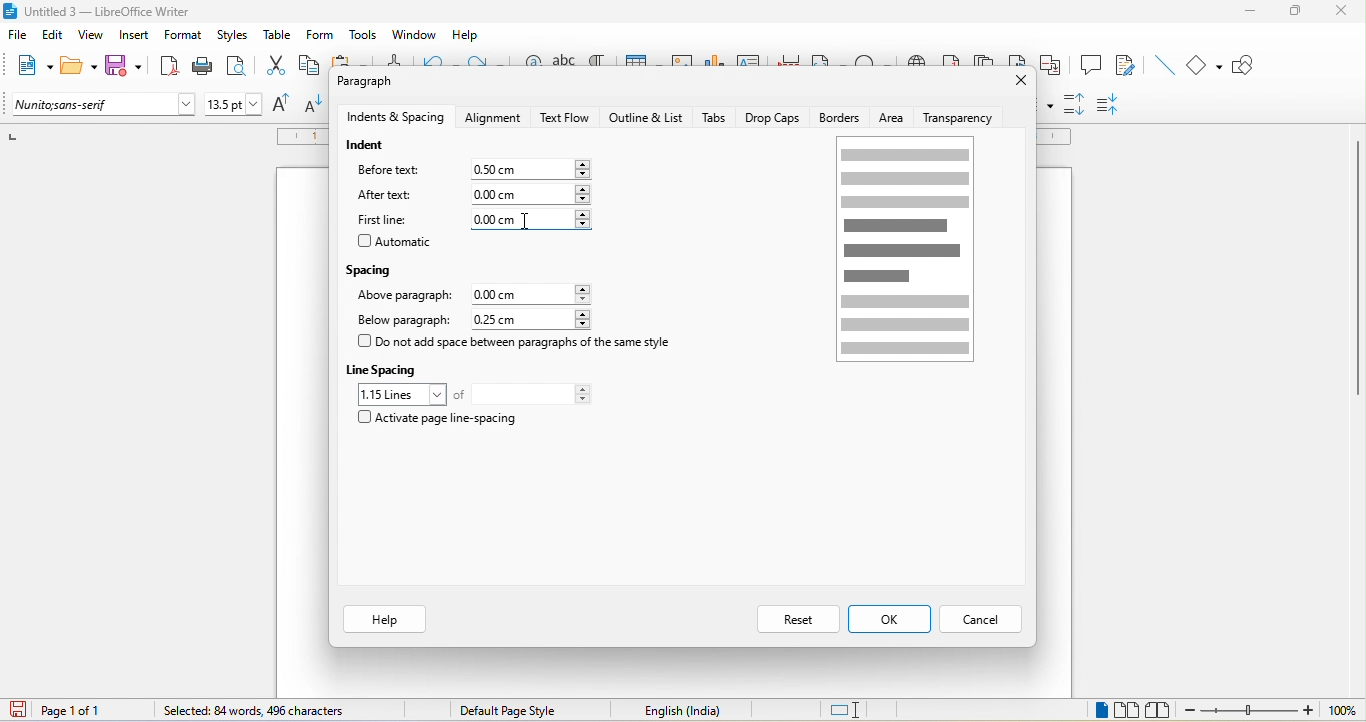  I want to click on text flow, so click(566, 117).